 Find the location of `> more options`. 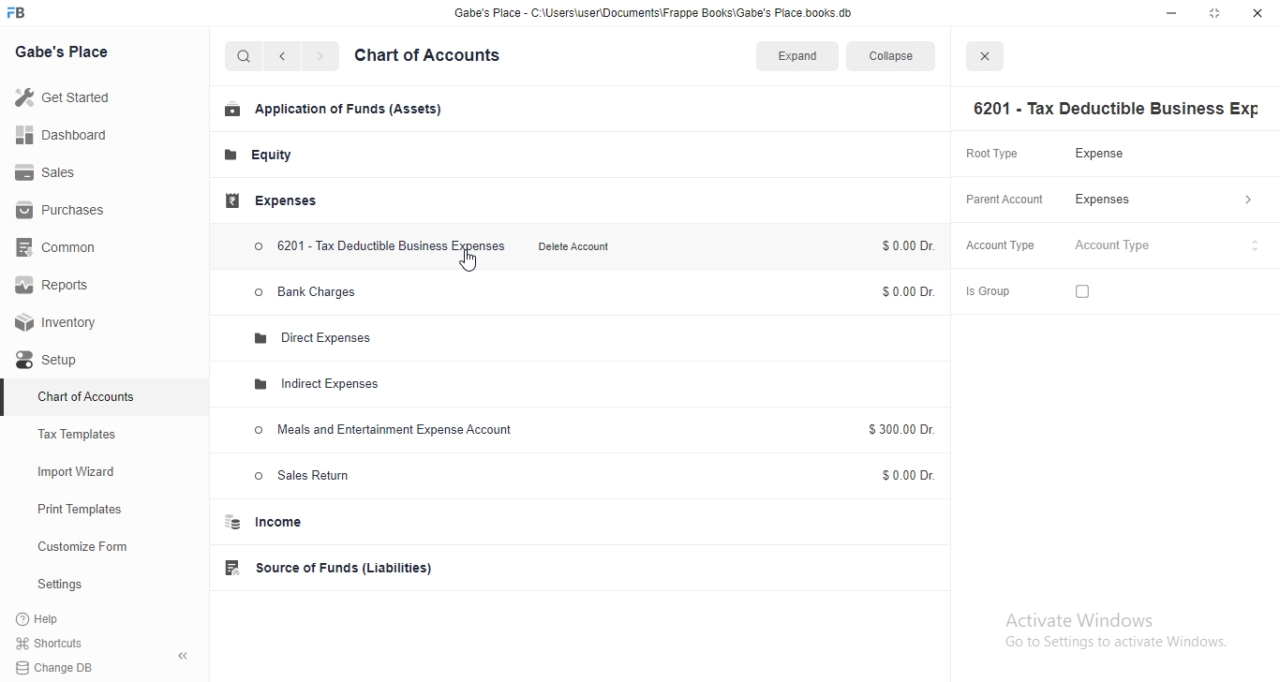

> more options is located at coordinates (1244, 197).